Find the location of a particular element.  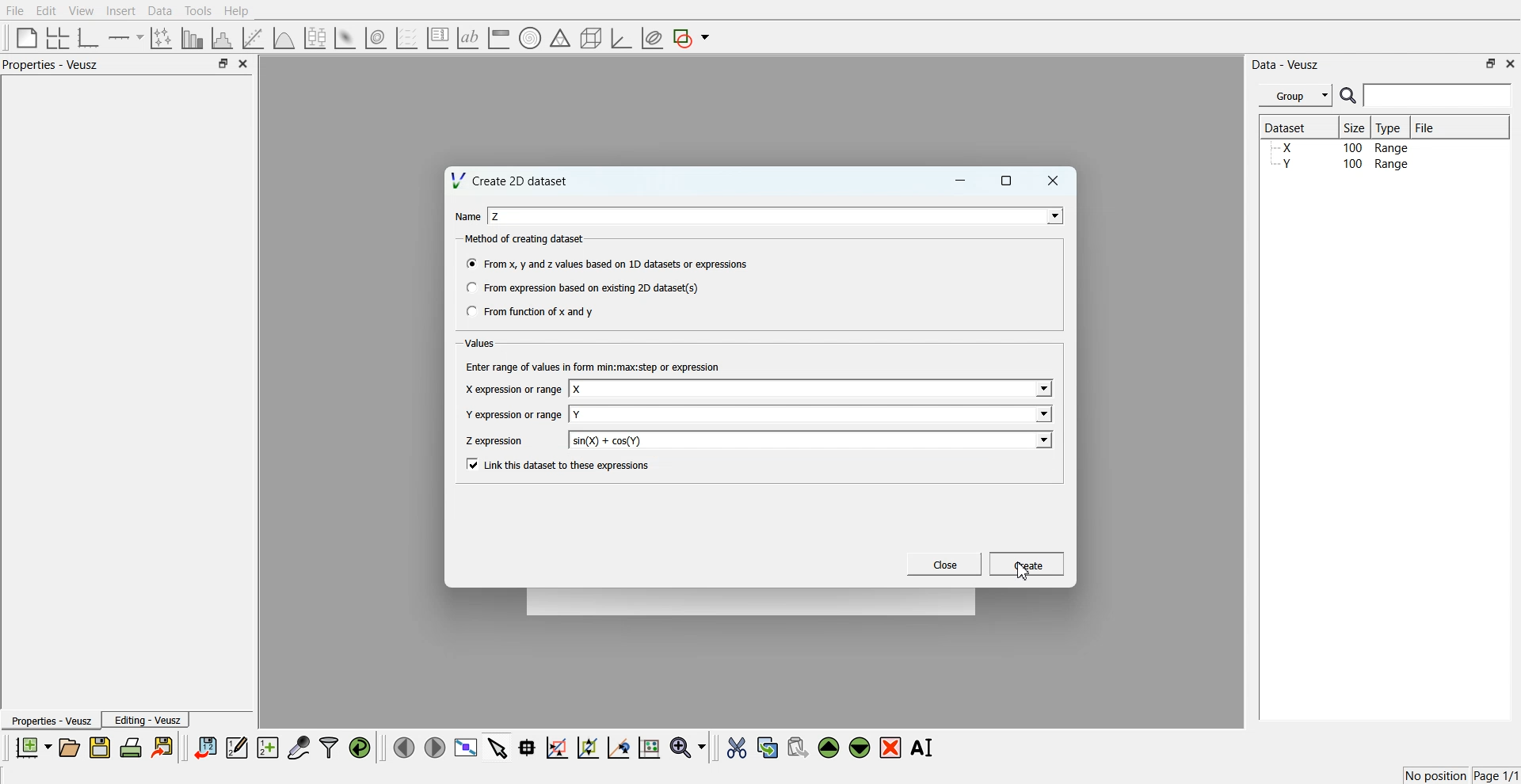

Save the document is located at coordinates (100, 747).